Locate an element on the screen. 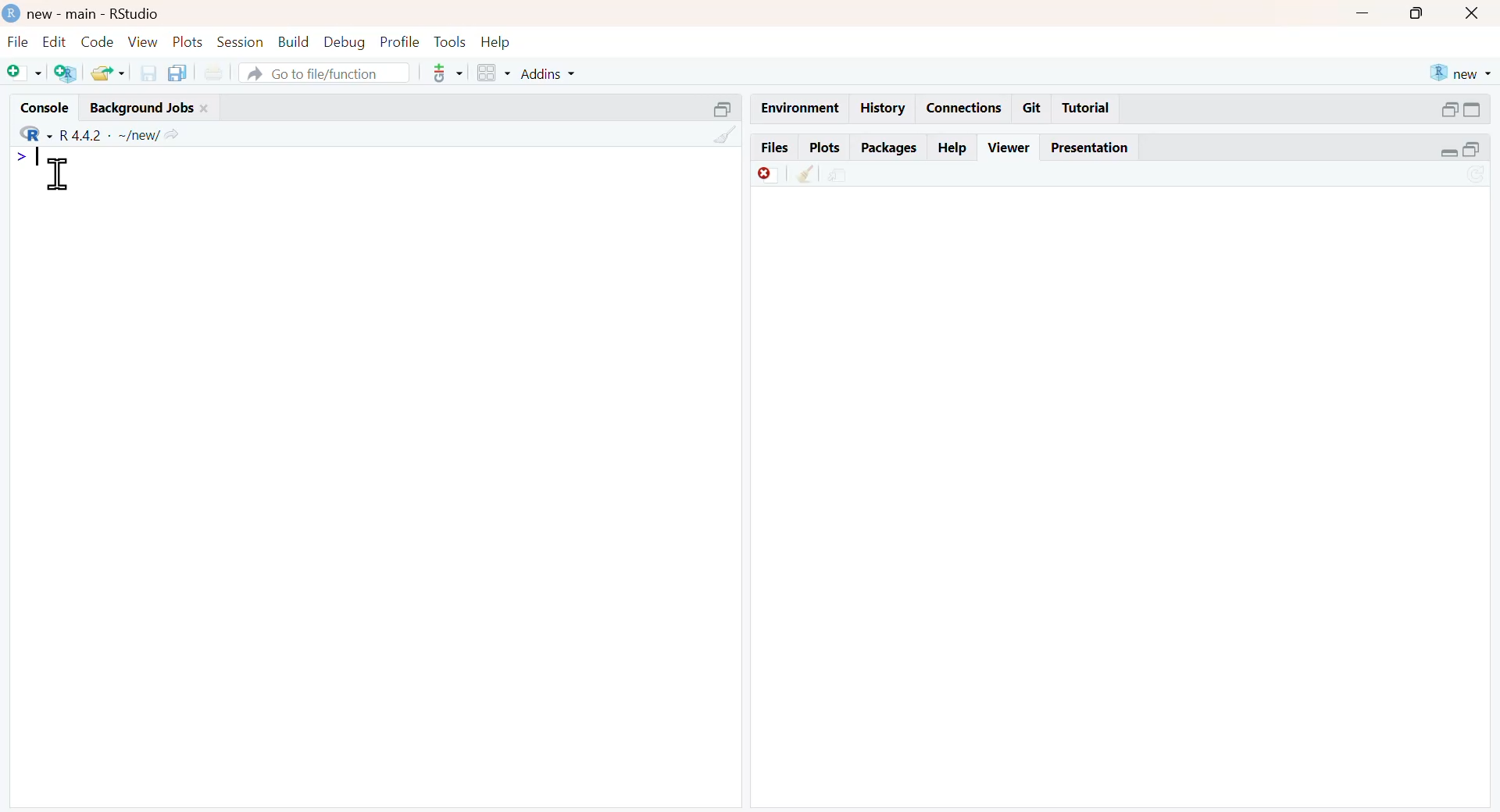 This screenshot has width=1500, height=812. print is located at coordinates (214, 72).